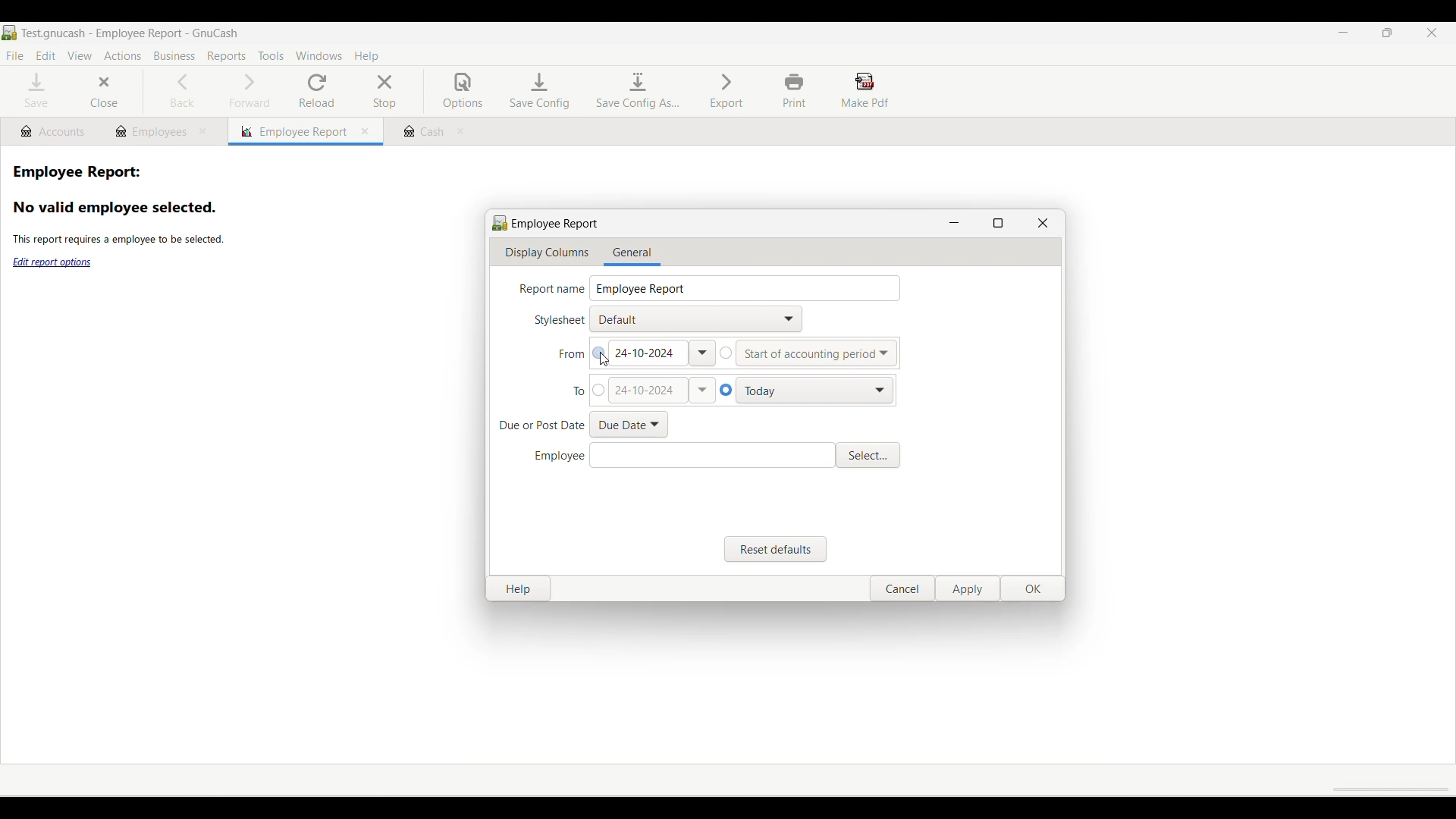  Describe the element at coordinates (967, 588) in the screenshot. I see `Apply changes` at that location.